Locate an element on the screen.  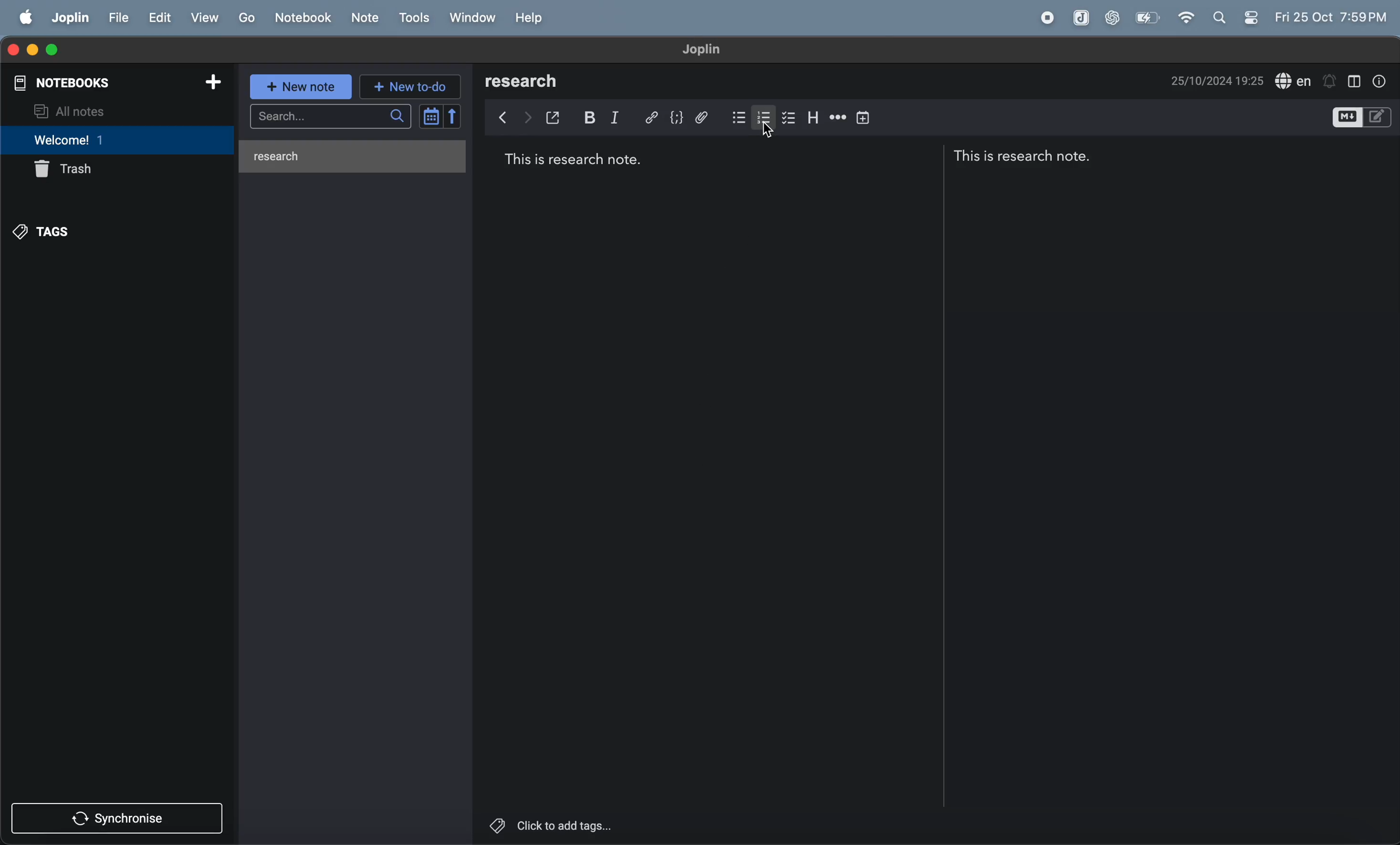
Go is located at coordinates (247, 16).